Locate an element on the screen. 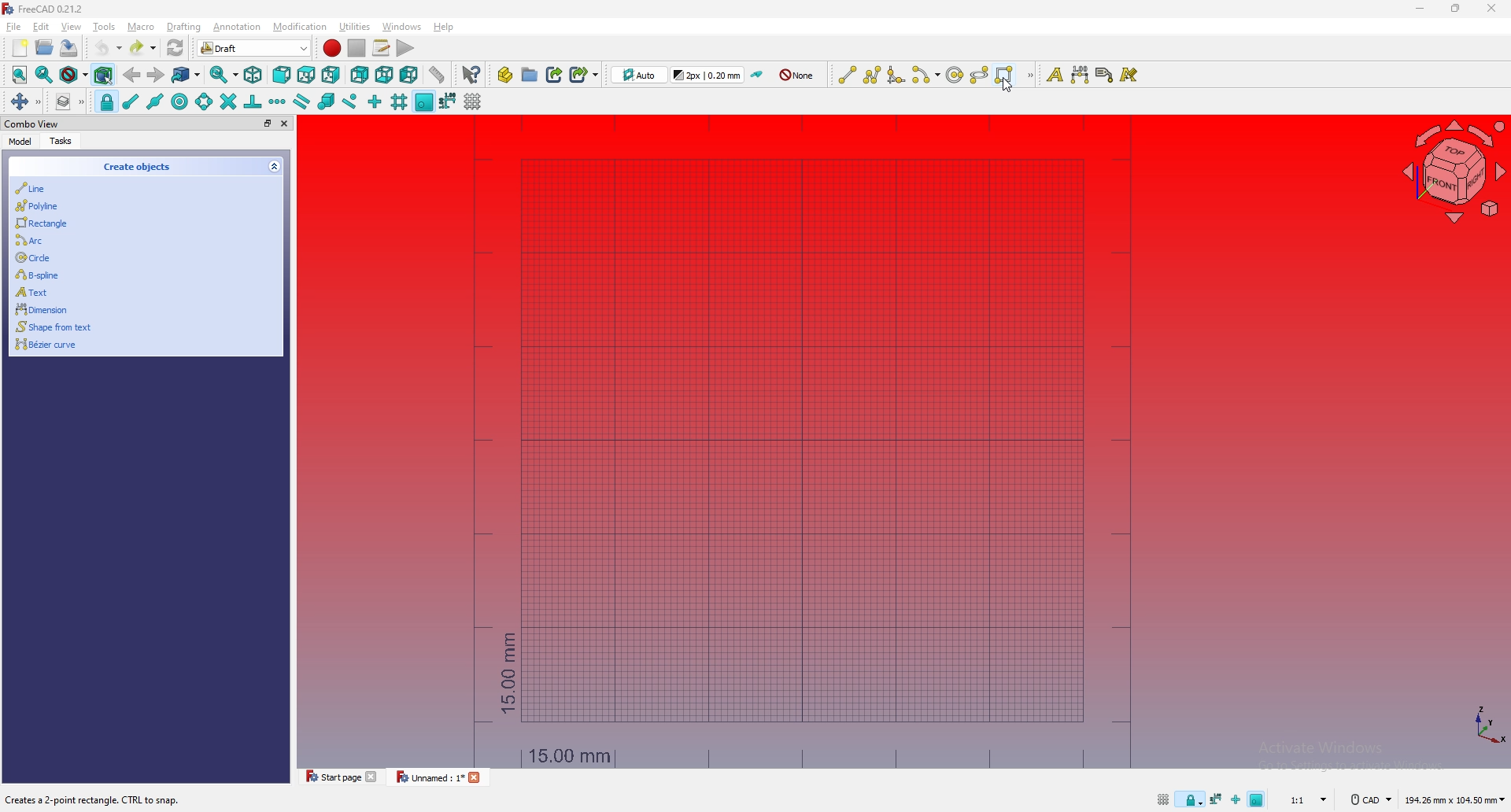 The height and width of the screenshot is (812, 1511). model is located at coordinates (22, 140).